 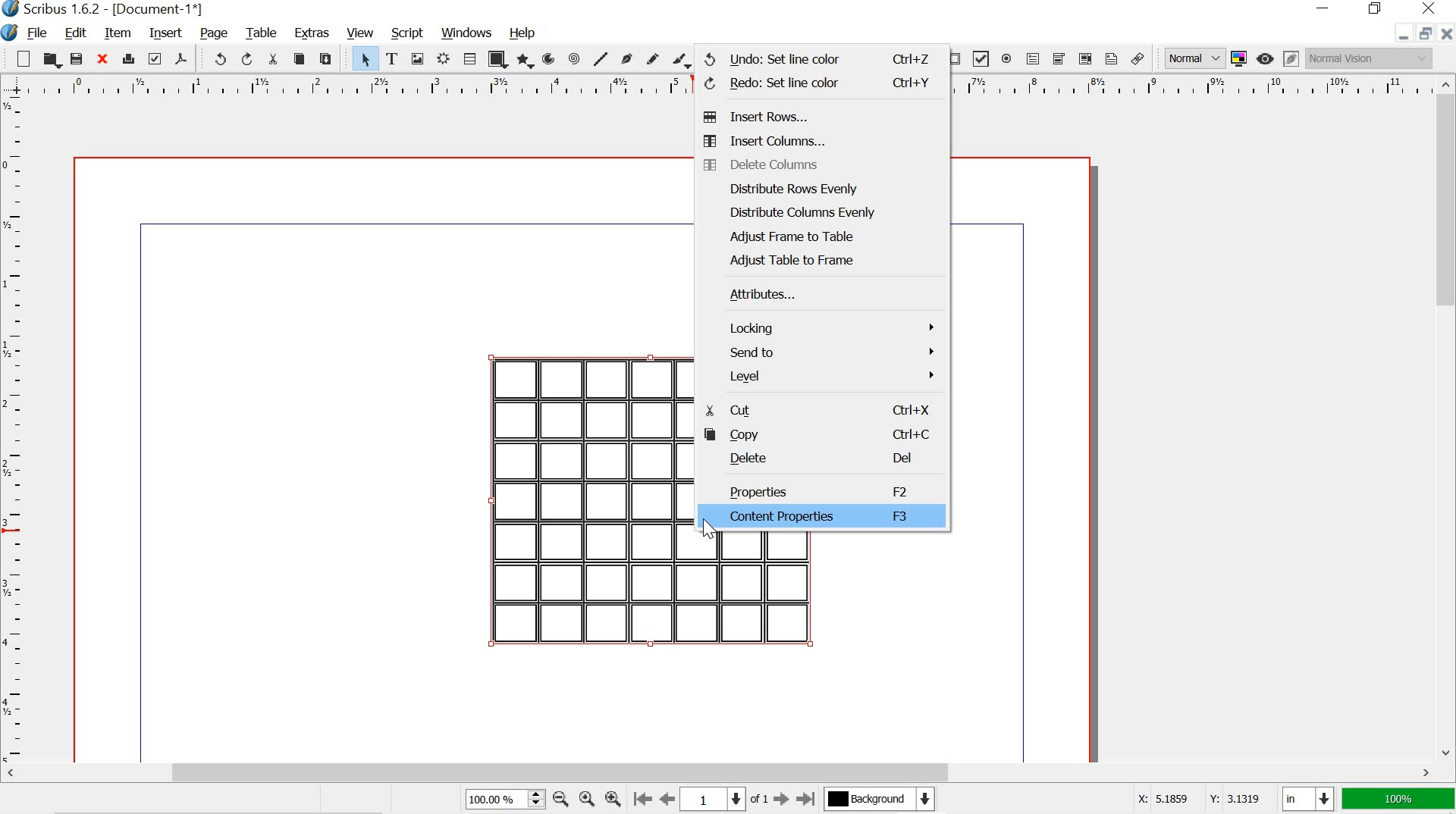 I want to click on spiral, so click(x=573, y=58).